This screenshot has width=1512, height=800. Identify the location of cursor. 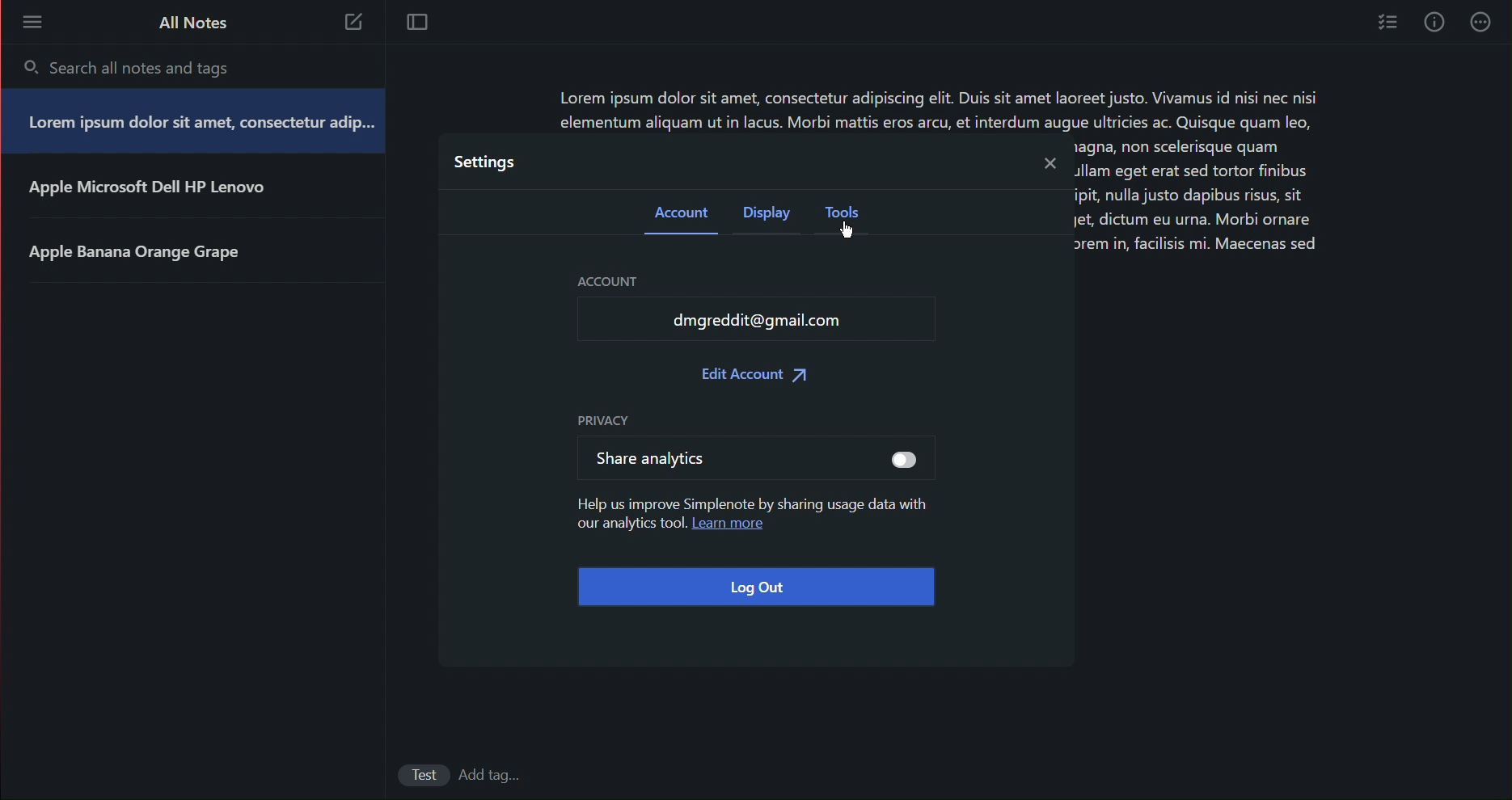
(852, 234).